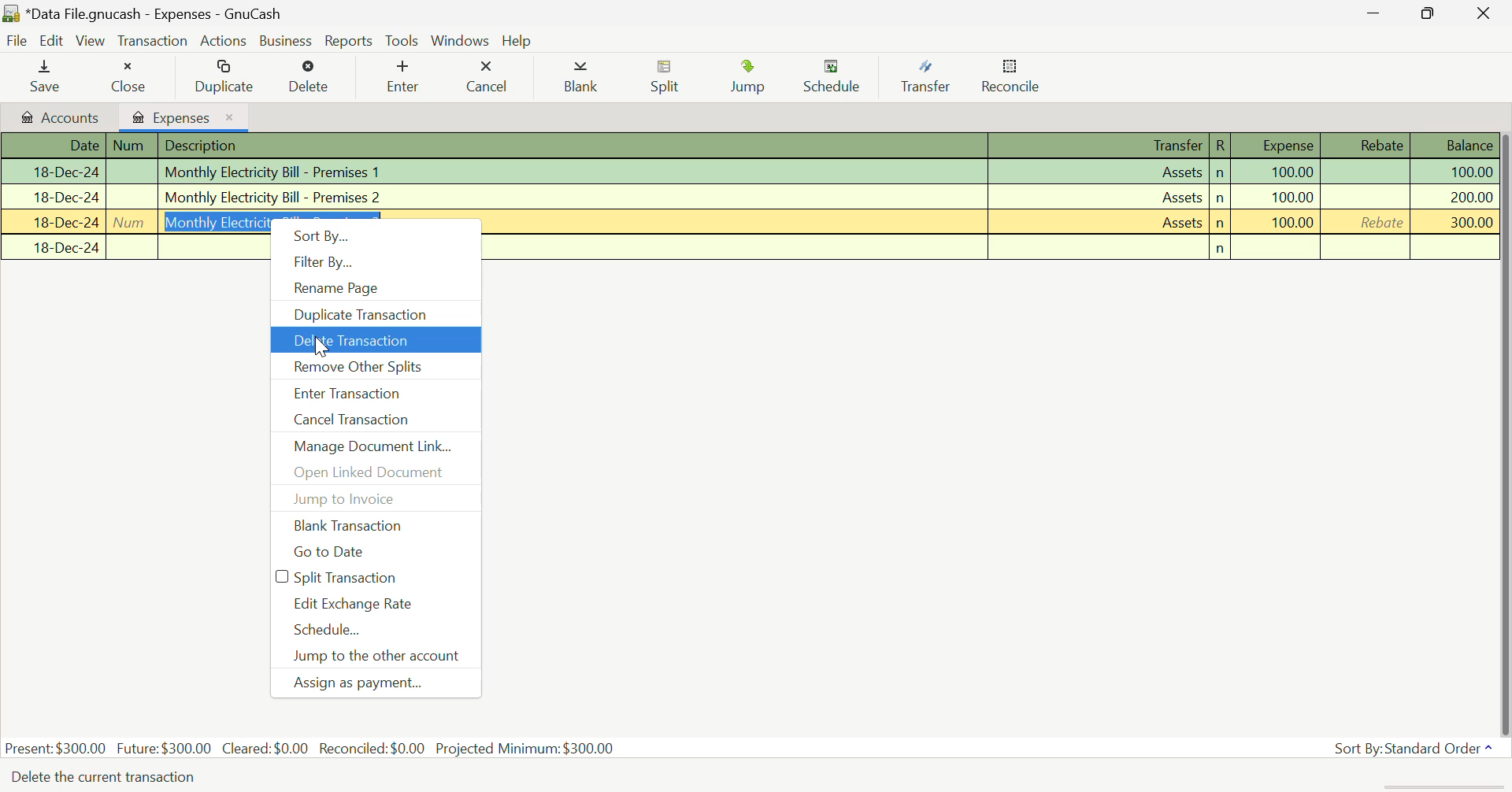  What do you see at coordinates (376, 234) in the screenshot?
I see `Sort By...` at bounding box center [376, 234].